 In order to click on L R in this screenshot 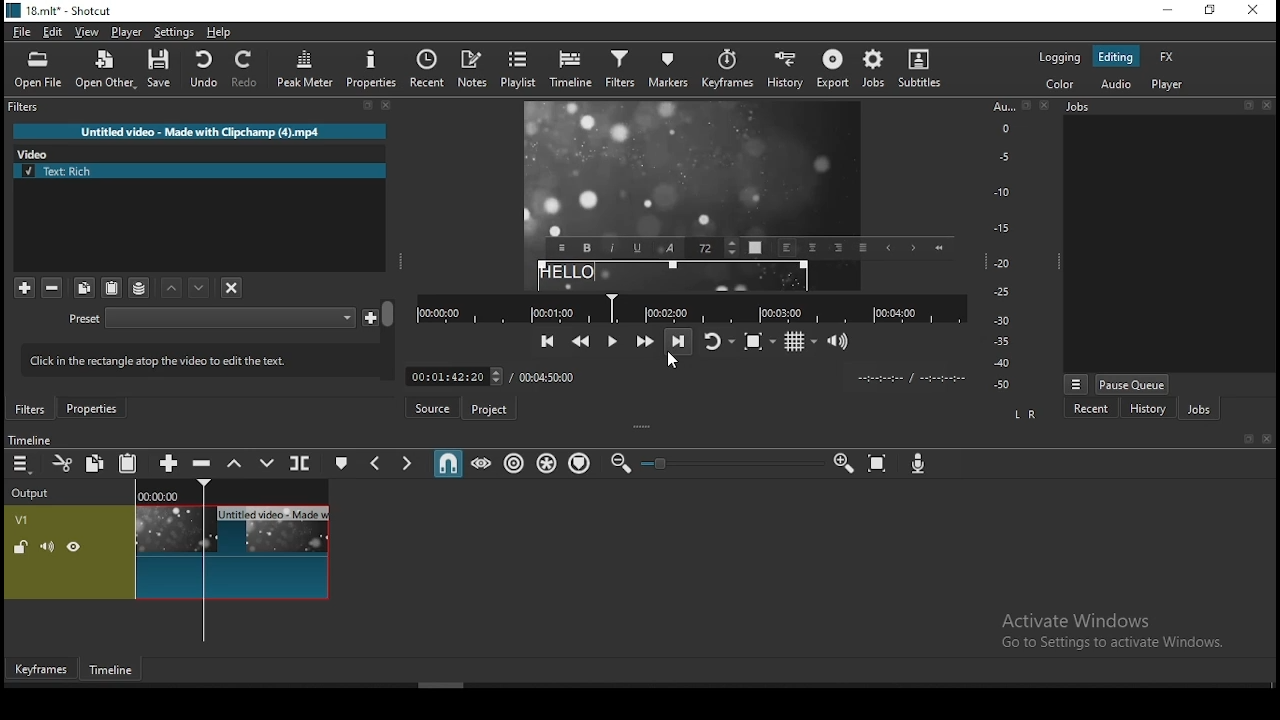, I will do `click(1026, 415)`.